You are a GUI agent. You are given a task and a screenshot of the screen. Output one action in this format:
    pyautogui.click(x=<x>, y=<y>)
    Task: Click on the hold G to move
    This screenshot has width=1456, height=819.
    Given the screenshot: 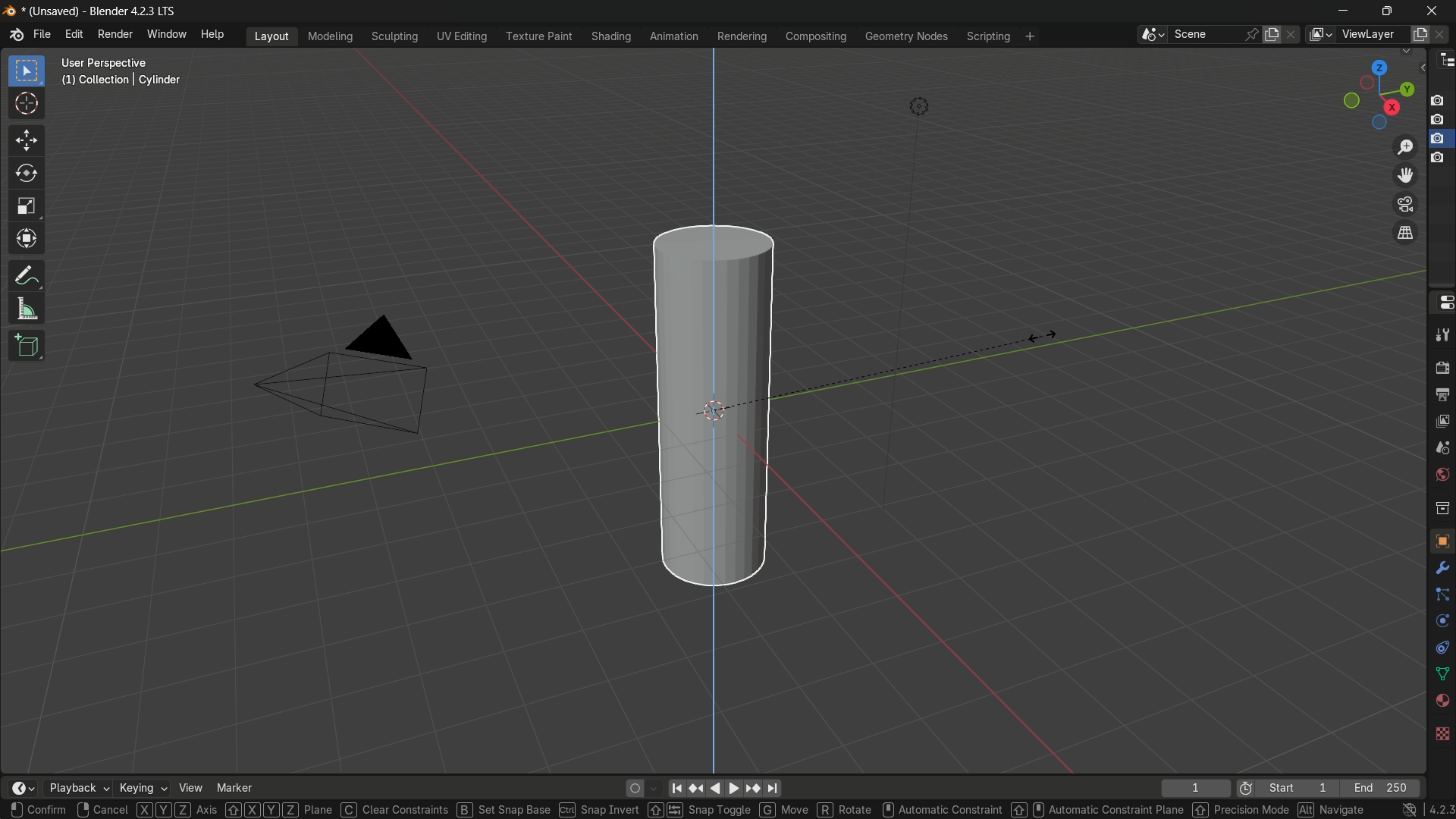 What is the action you would take?
    pyautogui.click(x=784, y=810)
    